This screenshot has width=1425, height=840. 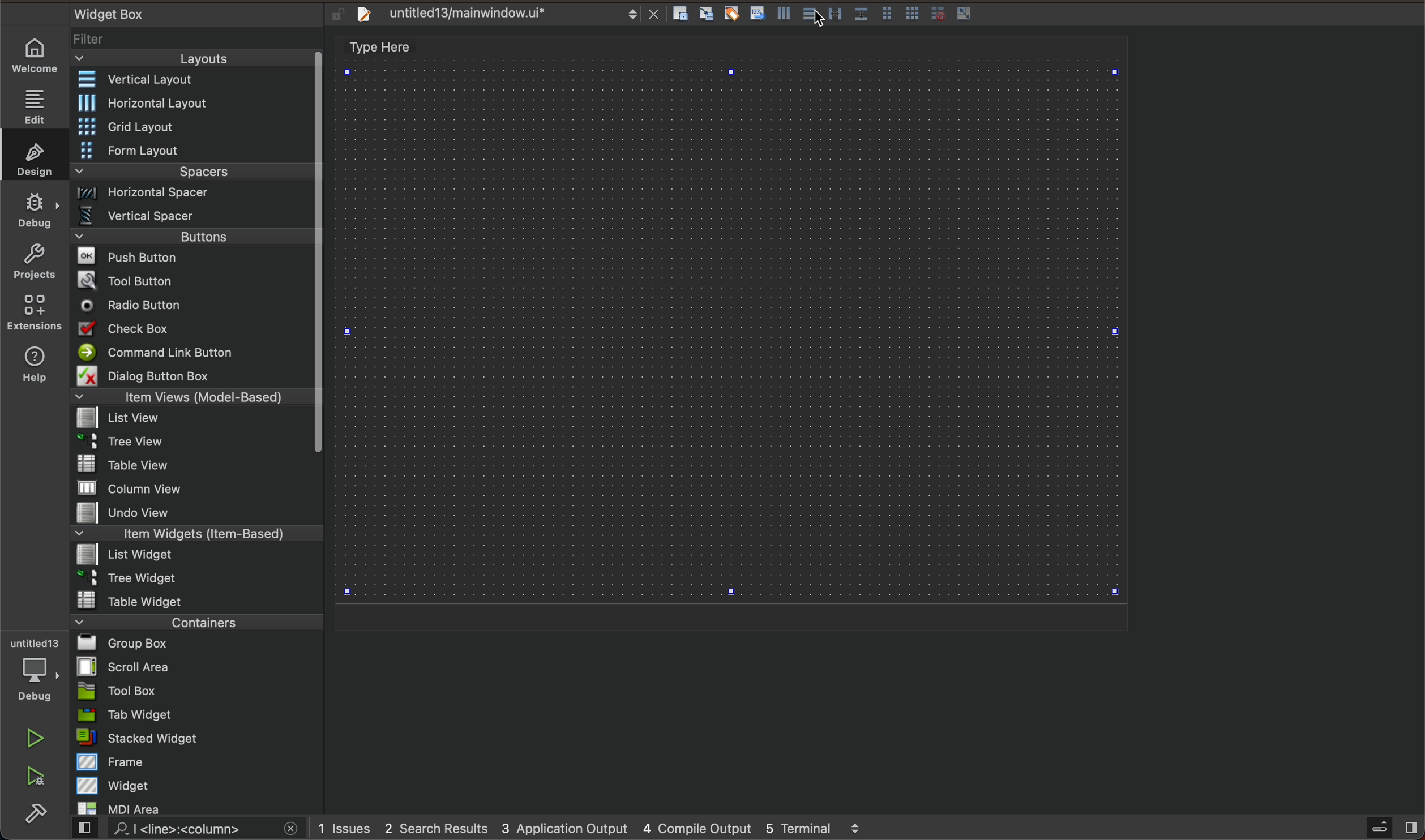 What do you see at coordinates (194, 104) in the screenshot?
I see `Horizontal layout` at bounding box center [194, 104].